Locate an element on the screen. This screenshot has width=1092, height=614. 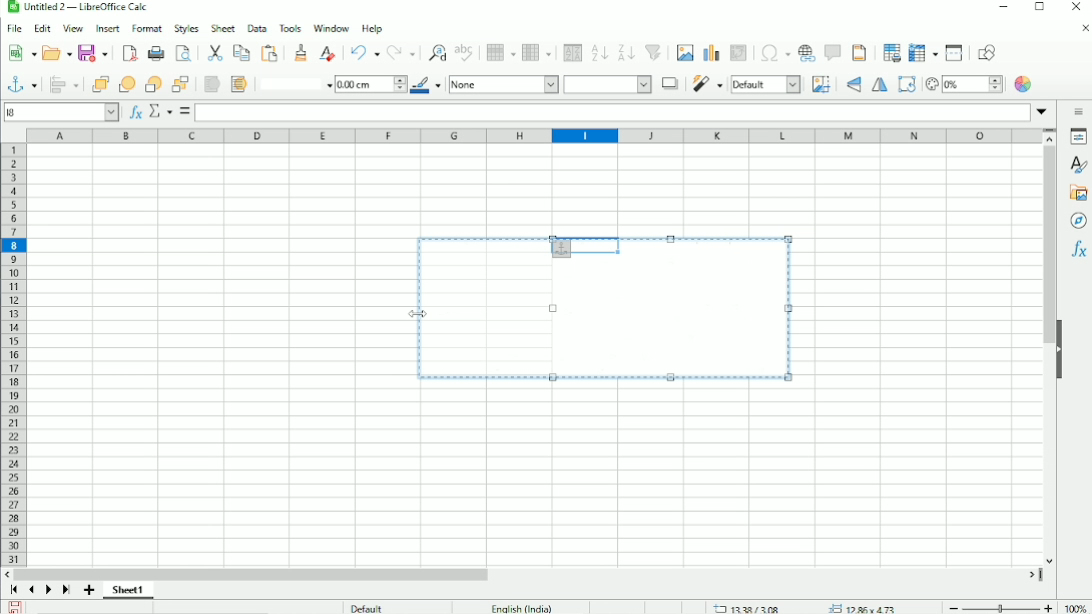
Scroll to previous sheet is located at coordinates (32, 589).